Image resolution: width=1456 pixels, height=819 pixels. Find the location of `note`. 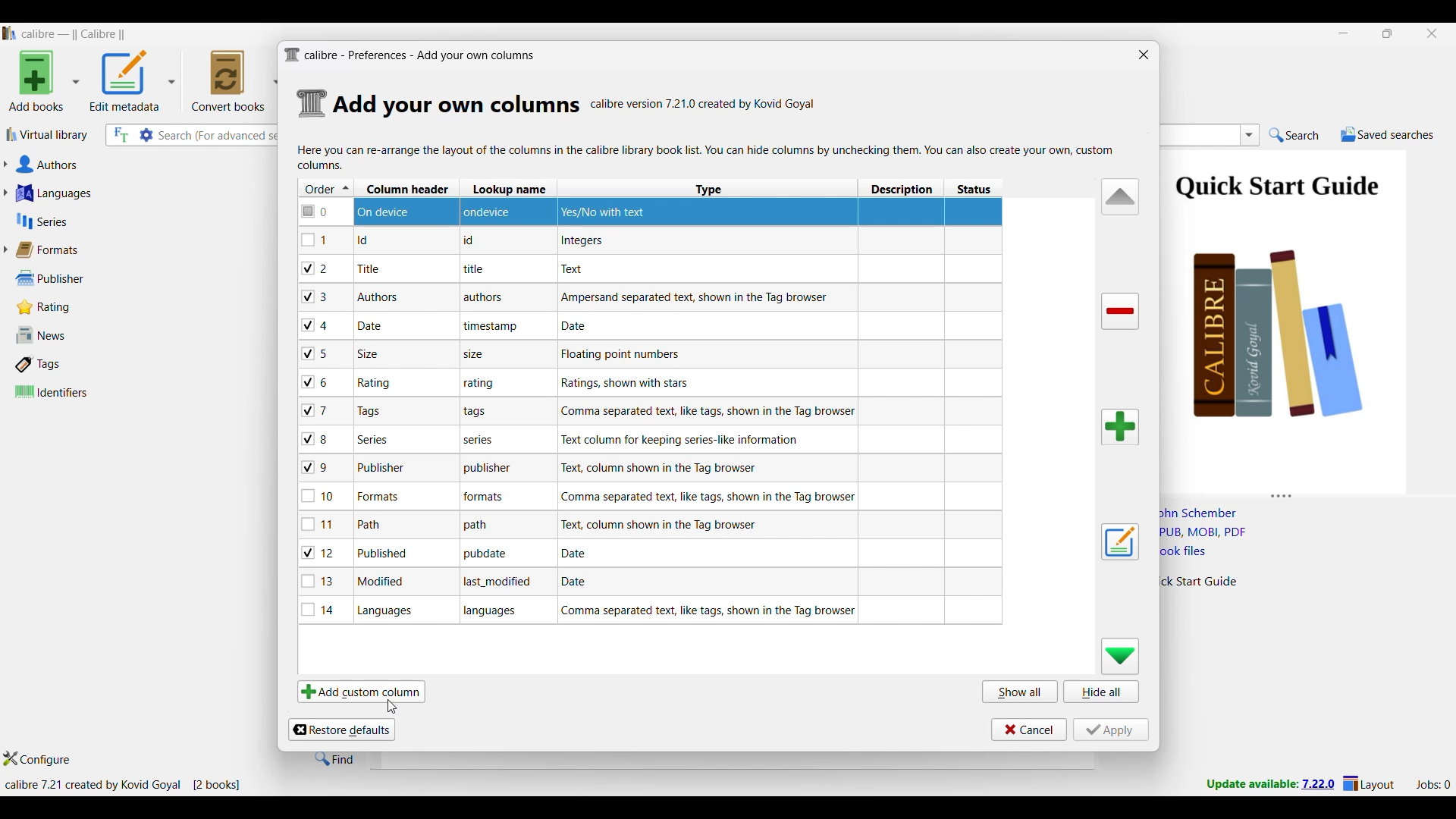

note is located at coordinates (491, 467).